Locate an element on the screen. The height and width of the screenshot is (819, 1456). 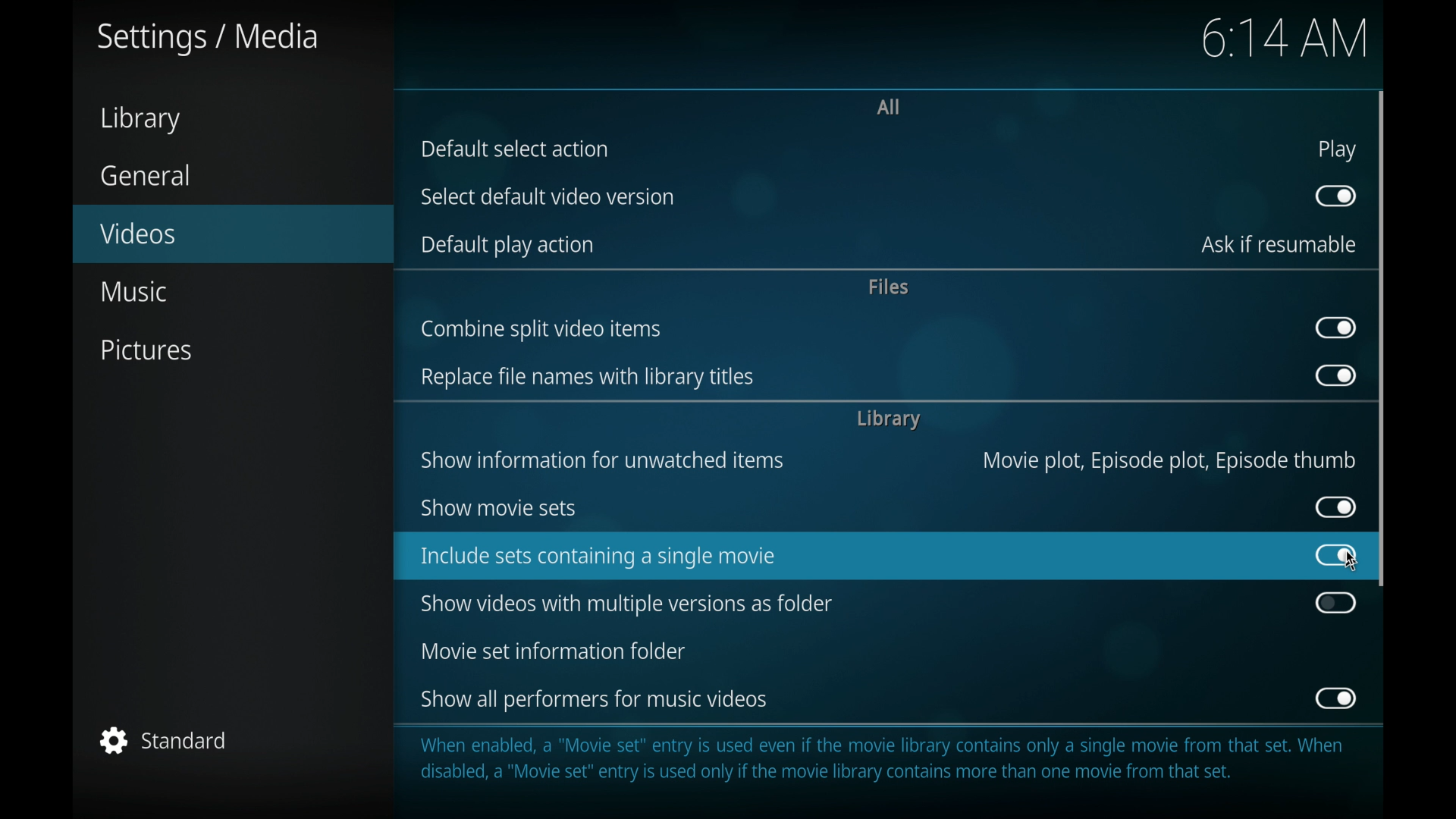
replace file is located at coordinates (587, 377).